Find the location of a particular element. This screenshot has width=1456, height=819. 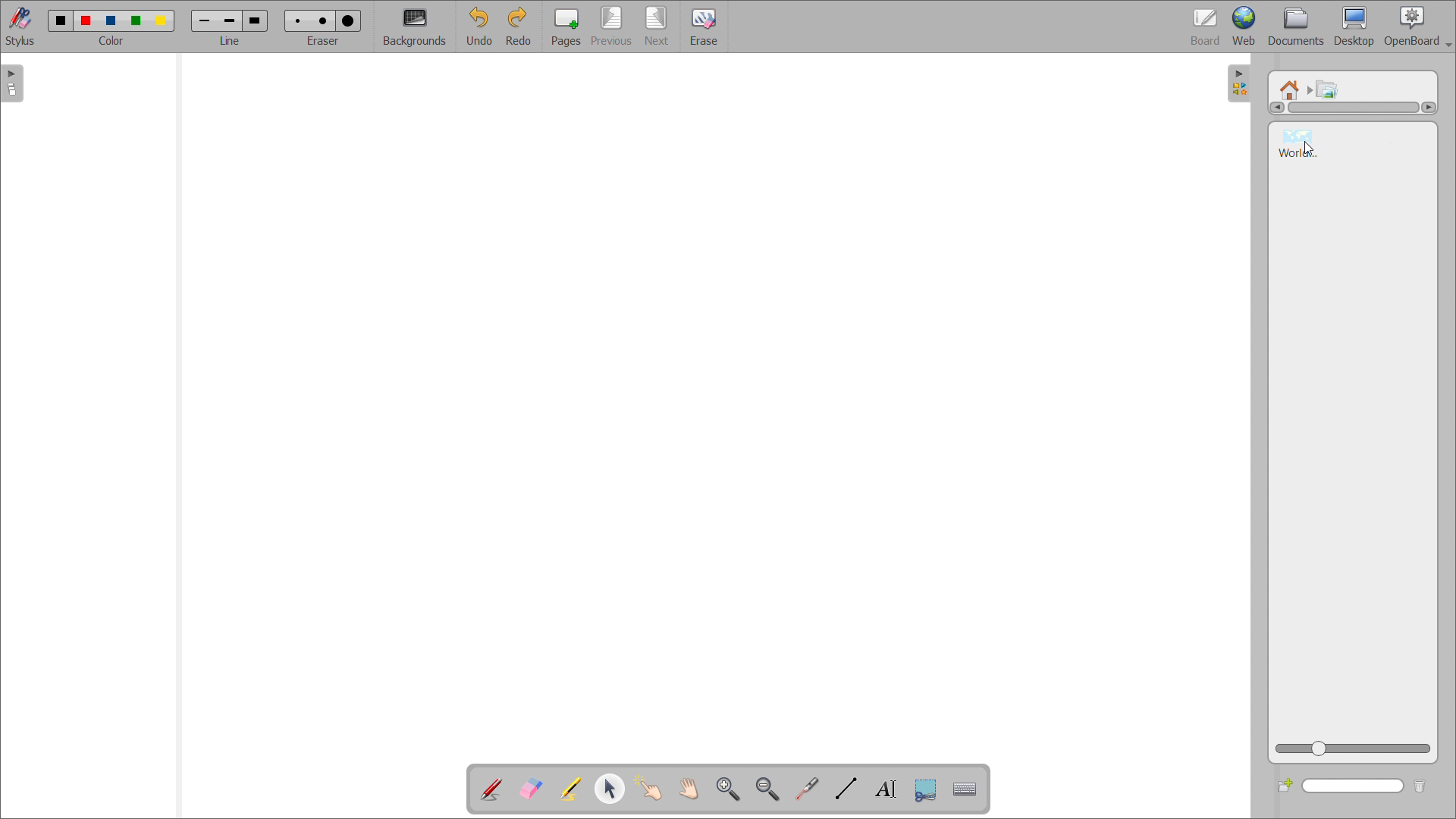

erase is located at coordinates (704, 27).